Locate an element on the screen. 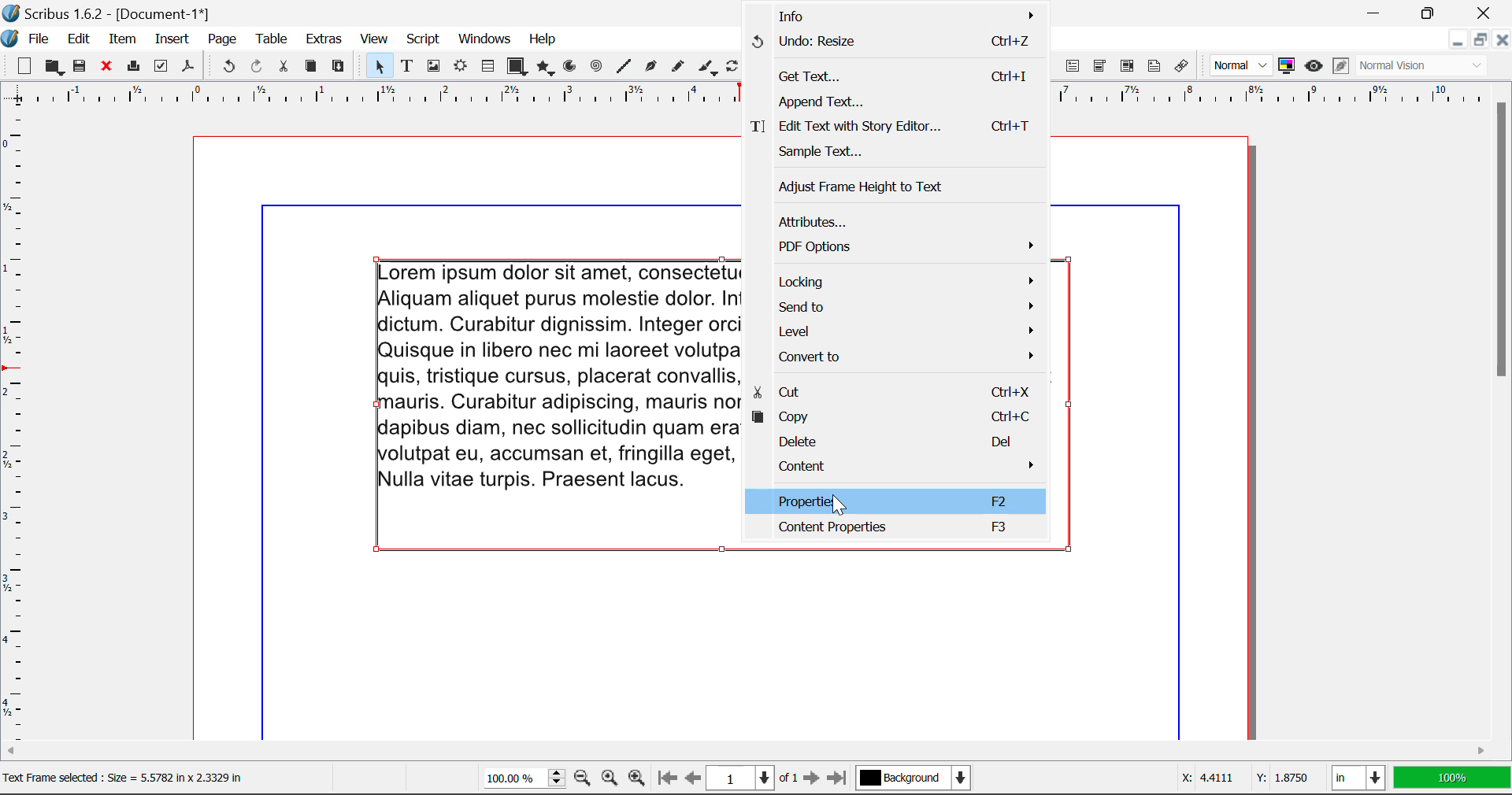 Image resolution: width=1512 pixels, height=795 pixels. Script is located at coordinates (424, 39).